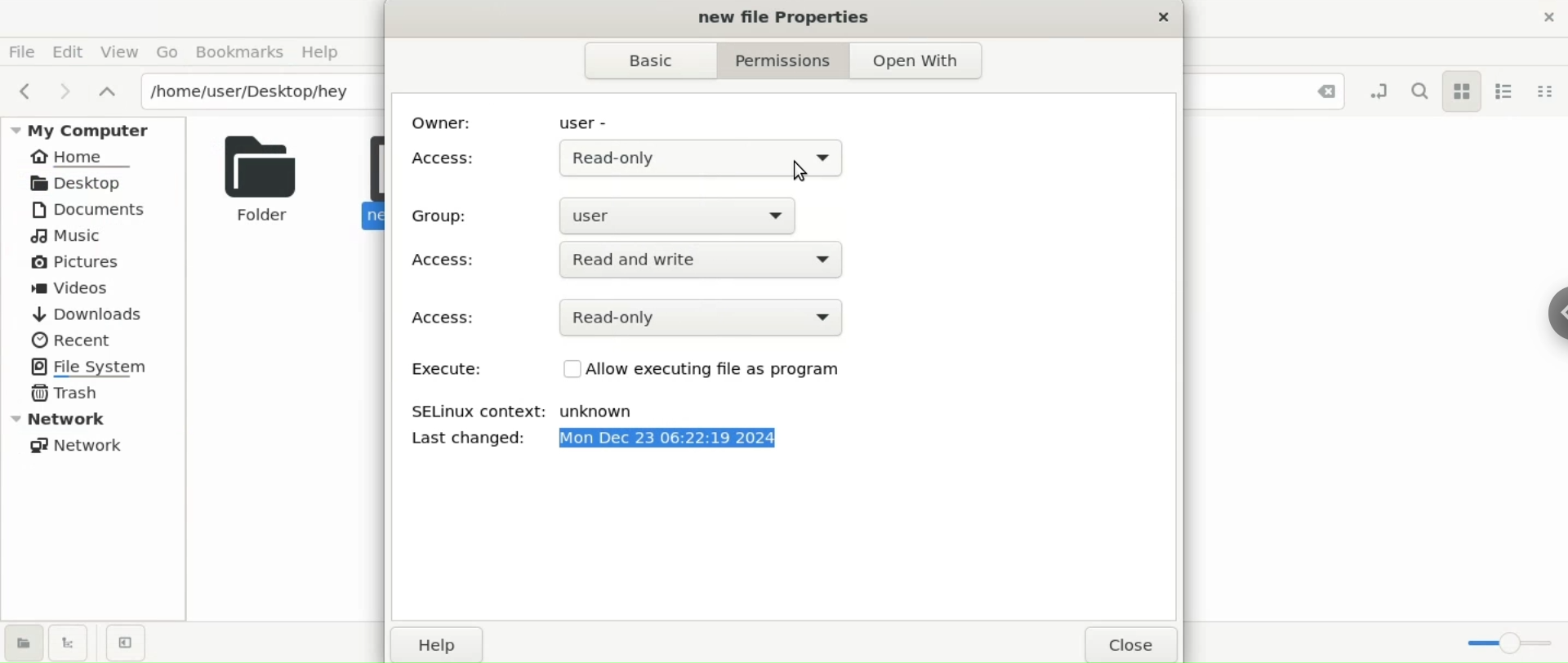 The image size is (1568, 663). What do you see at coordinates (1317, 91) in the screenshot?
I see `close` at bounding box center [1317, 91].